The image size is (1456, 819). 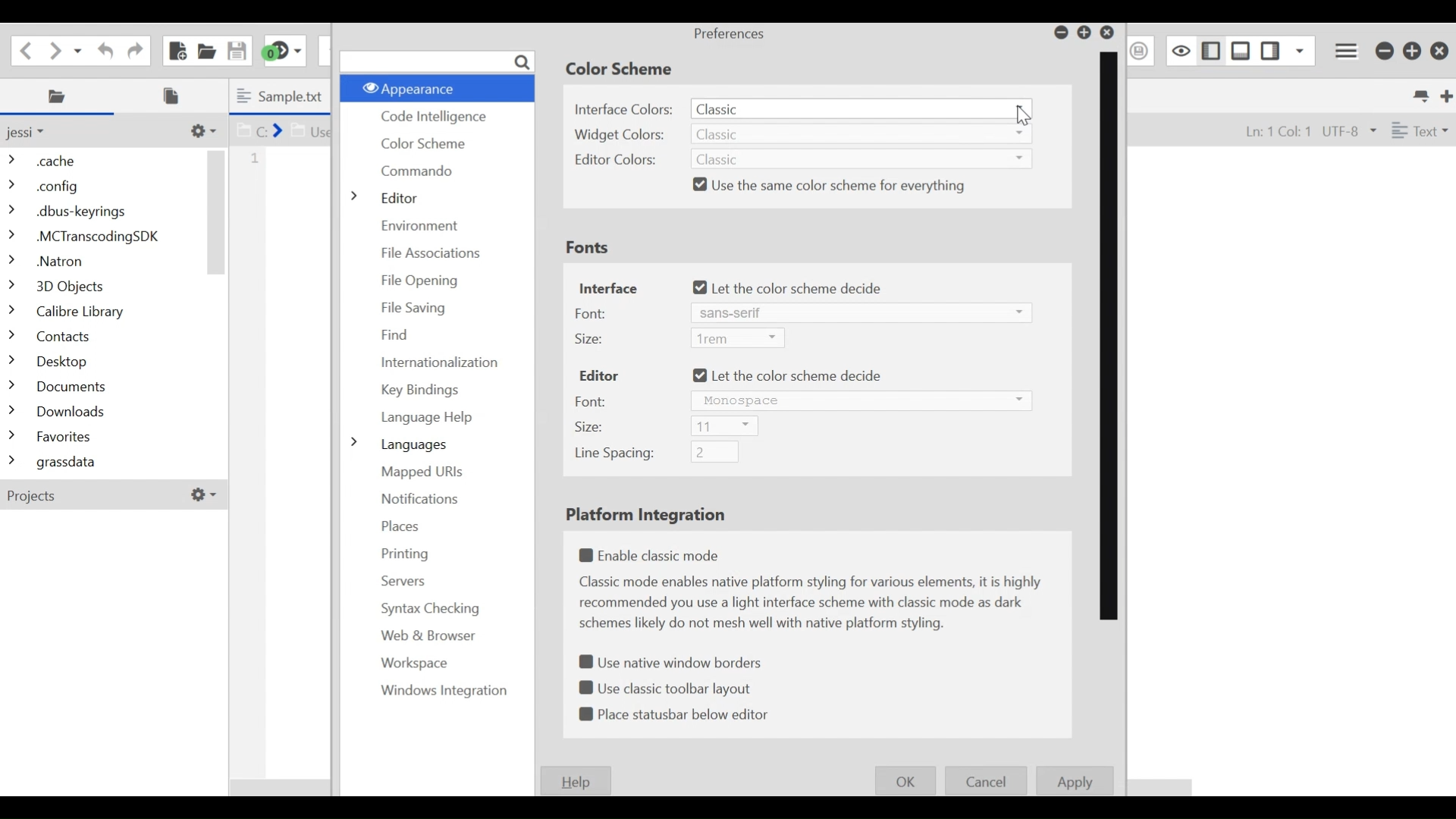 What do you see at coordinates (235, 49) in the screenshot?
I see `Save file` at bounding box center [235, 49].